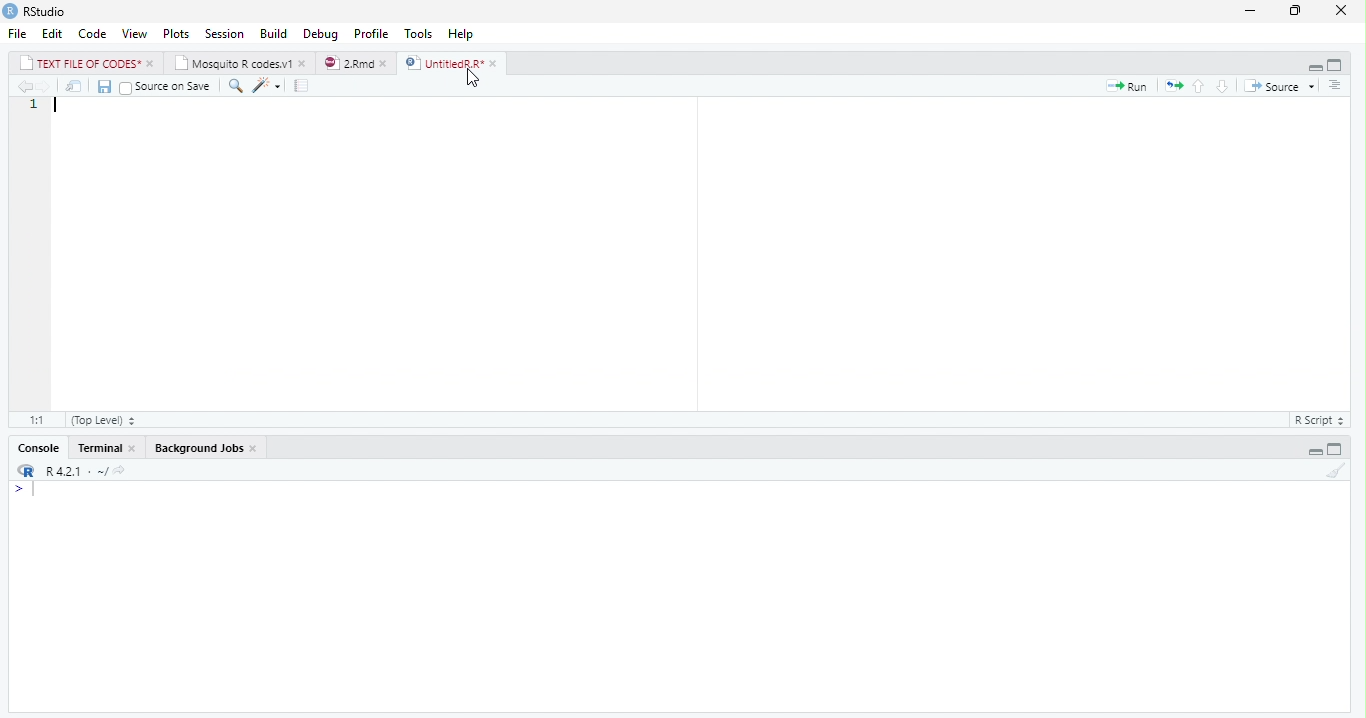  I want to click on app icon, so click(10, 10).